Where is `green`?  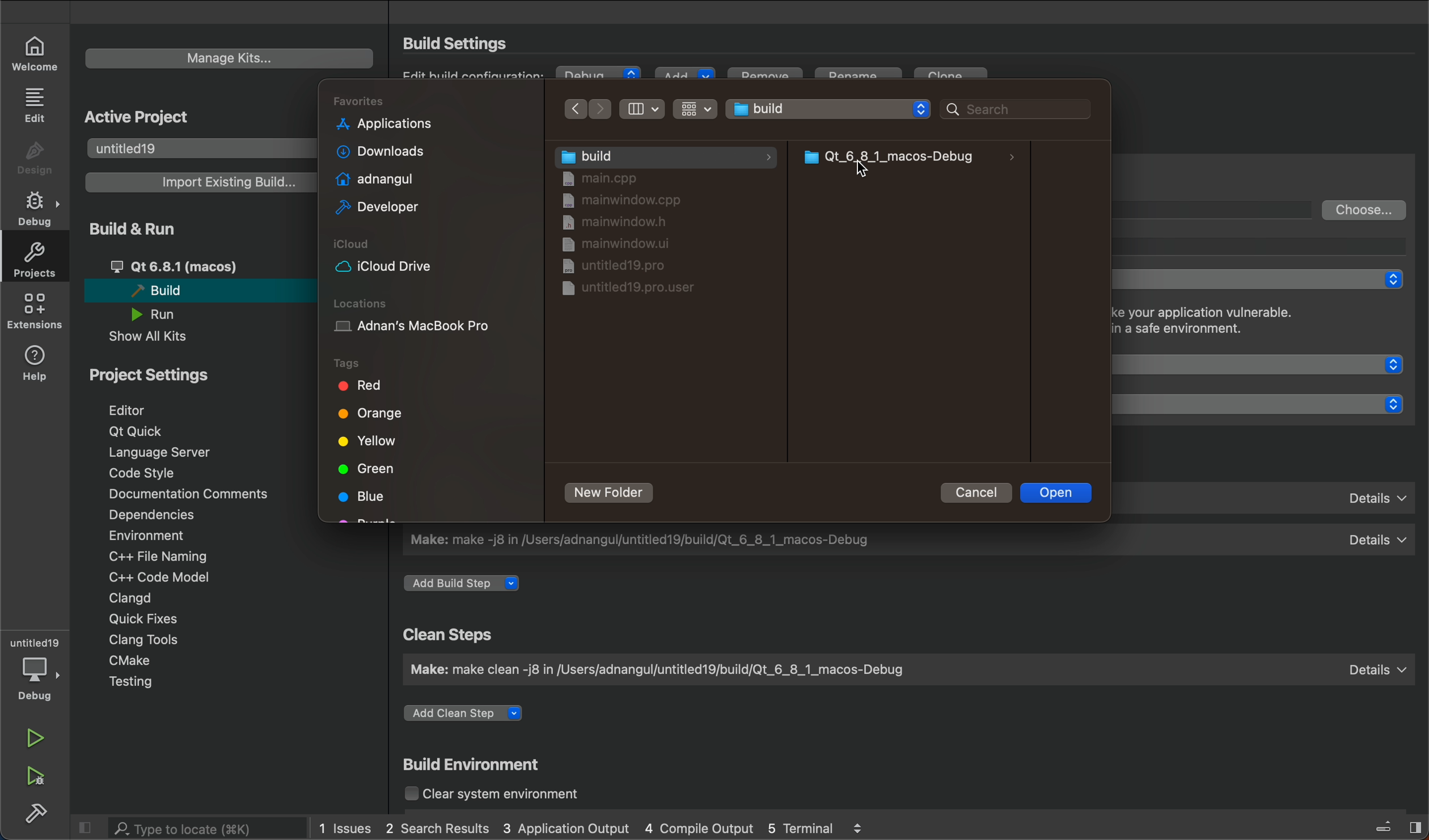 green is located at coordinates (369, 469).